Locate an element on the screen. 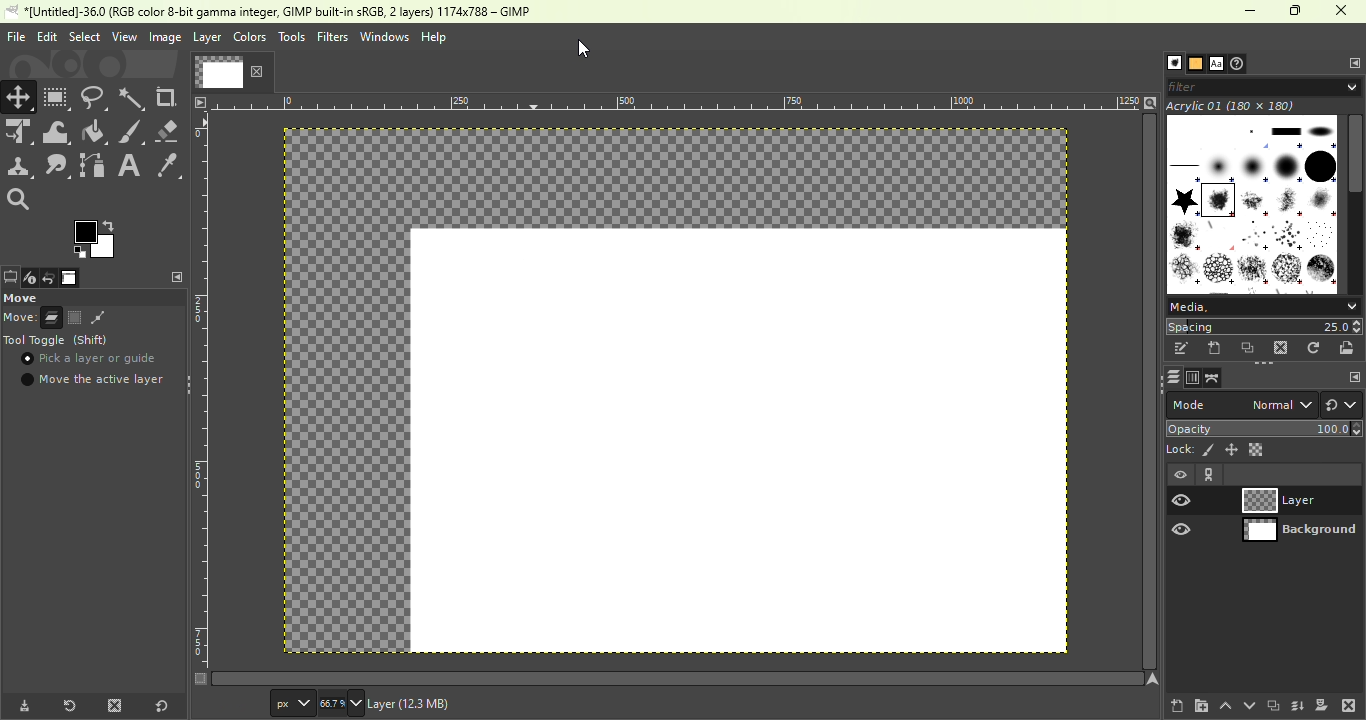  Eraser tool is located at coordinates (169, 131).